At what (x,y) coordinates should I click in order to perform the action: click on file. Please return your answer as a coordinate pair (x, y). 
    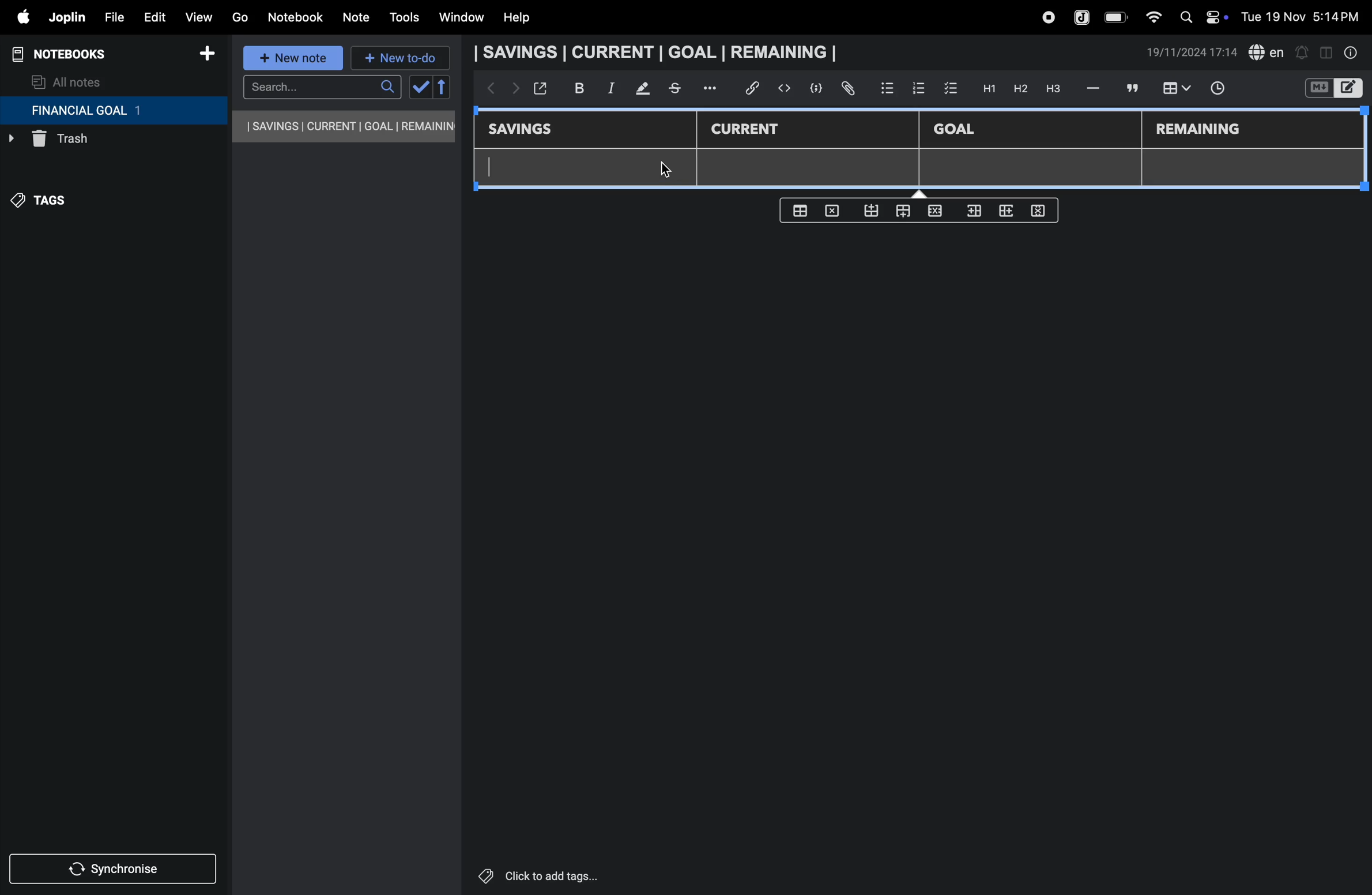
    Looking at the image, I should click on (110, 16).